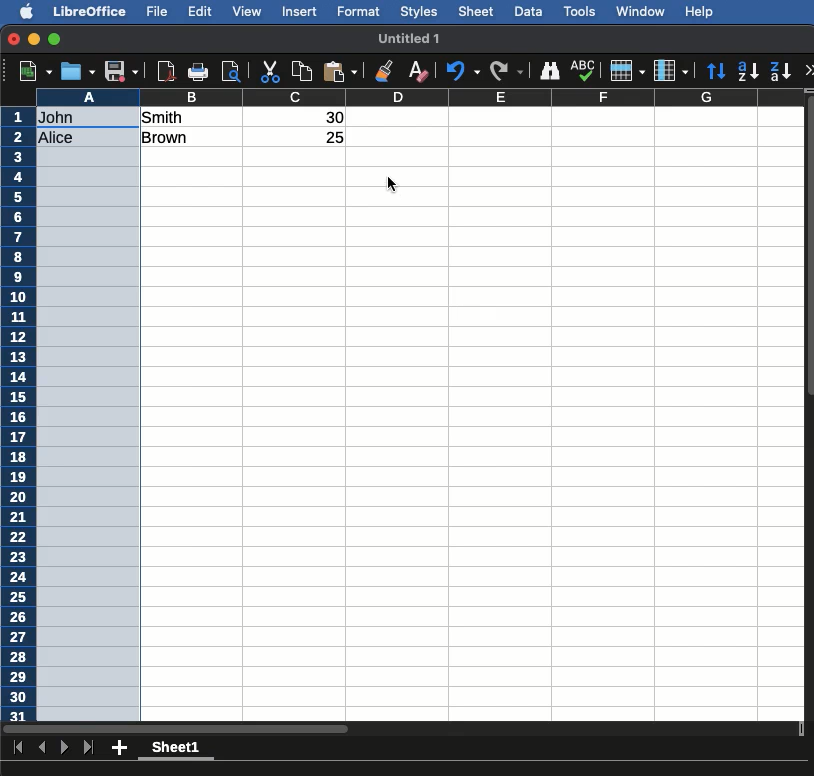 The height and width of the screenshot is (776, 814). What do you see at coordinates (89, 12) in the screenshot?
I see `Libreoffice` at bounding box center [89, 12].